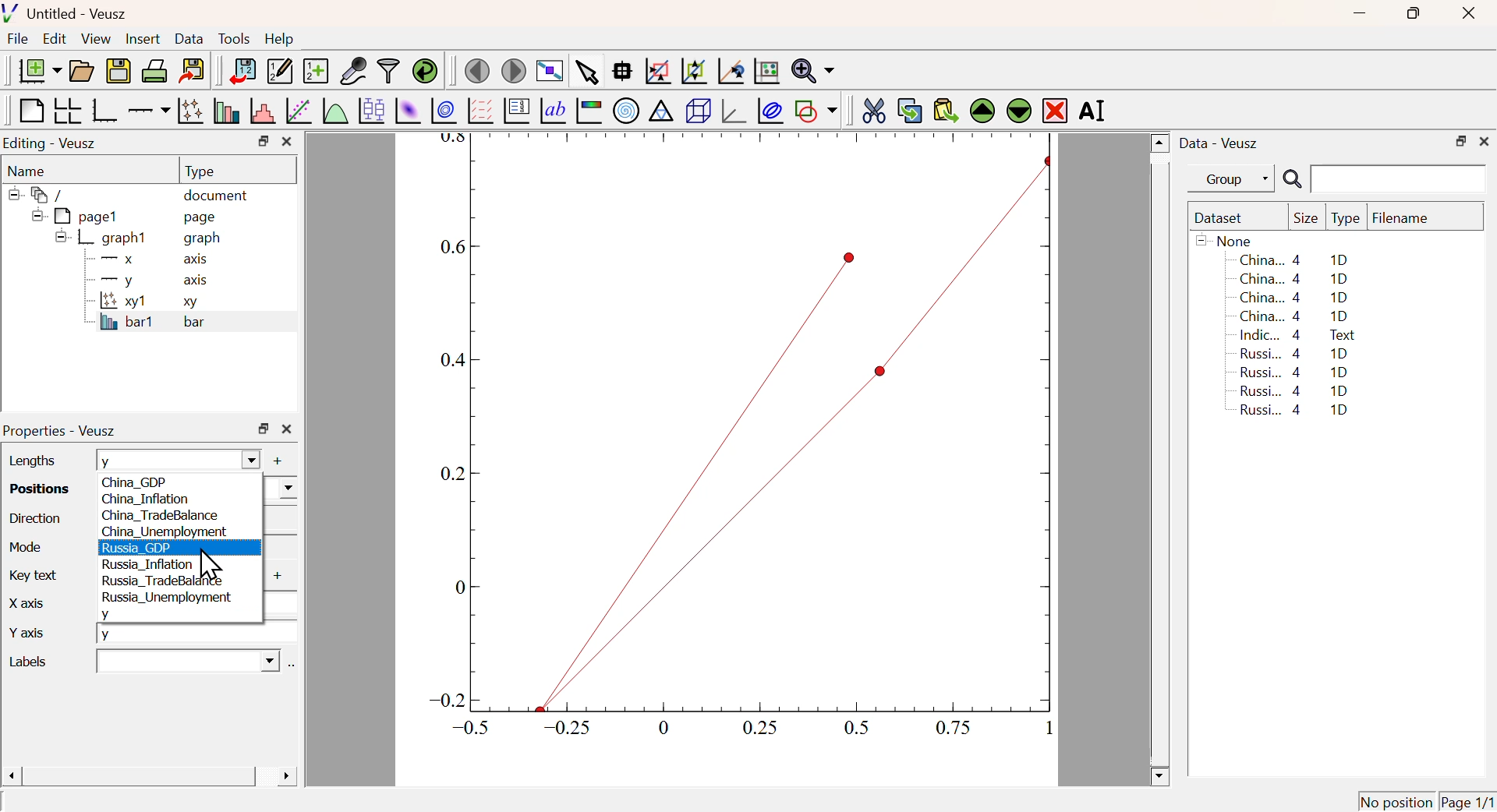  Describe the element at coordinates (149, 778) in the screenshot. I see `Scroll` at that location.